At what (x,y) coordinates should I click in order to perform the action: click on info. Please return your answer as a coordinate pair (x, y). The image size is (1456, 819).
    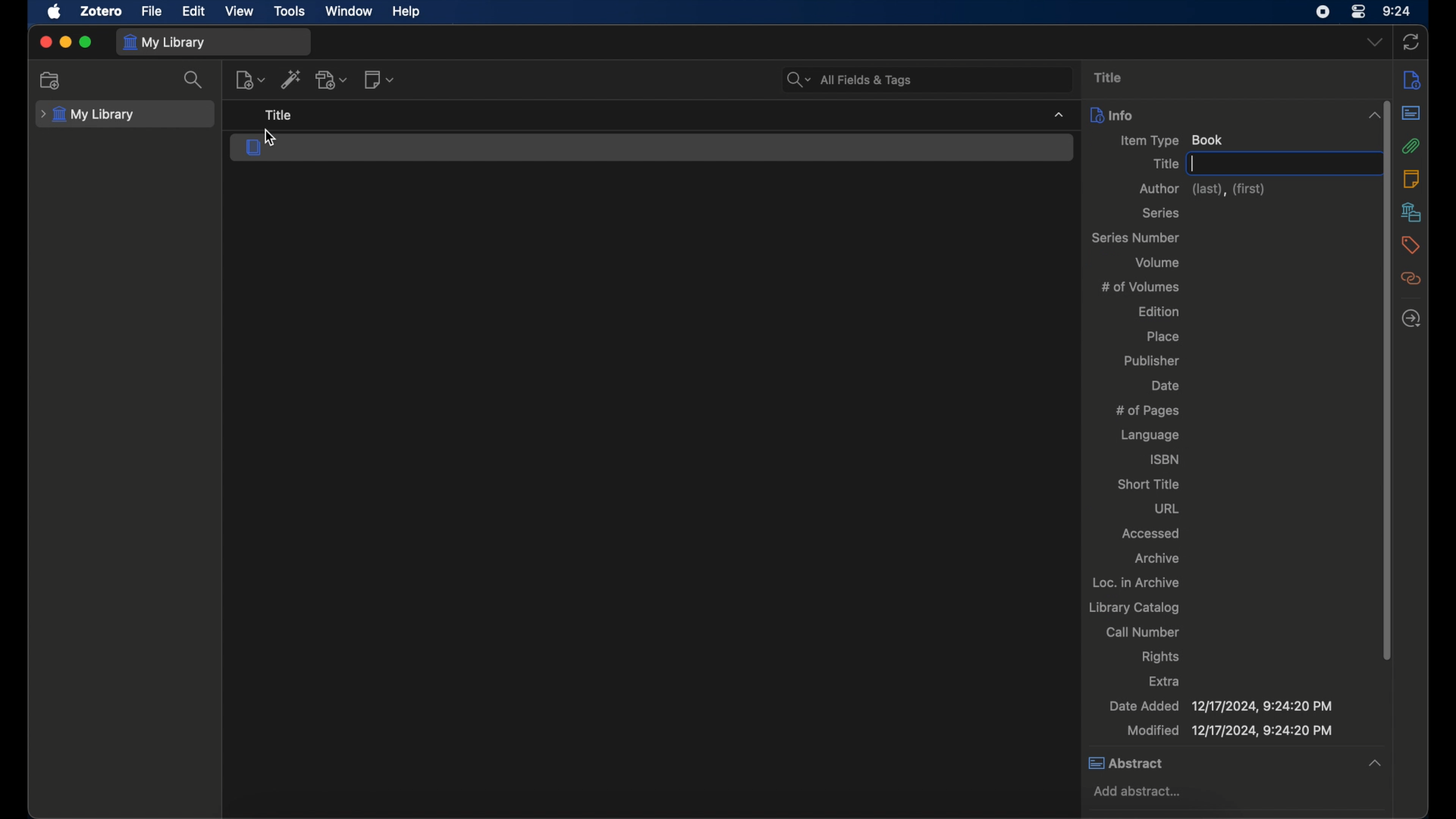
    Looking at the image, I should click on (1412, 80).